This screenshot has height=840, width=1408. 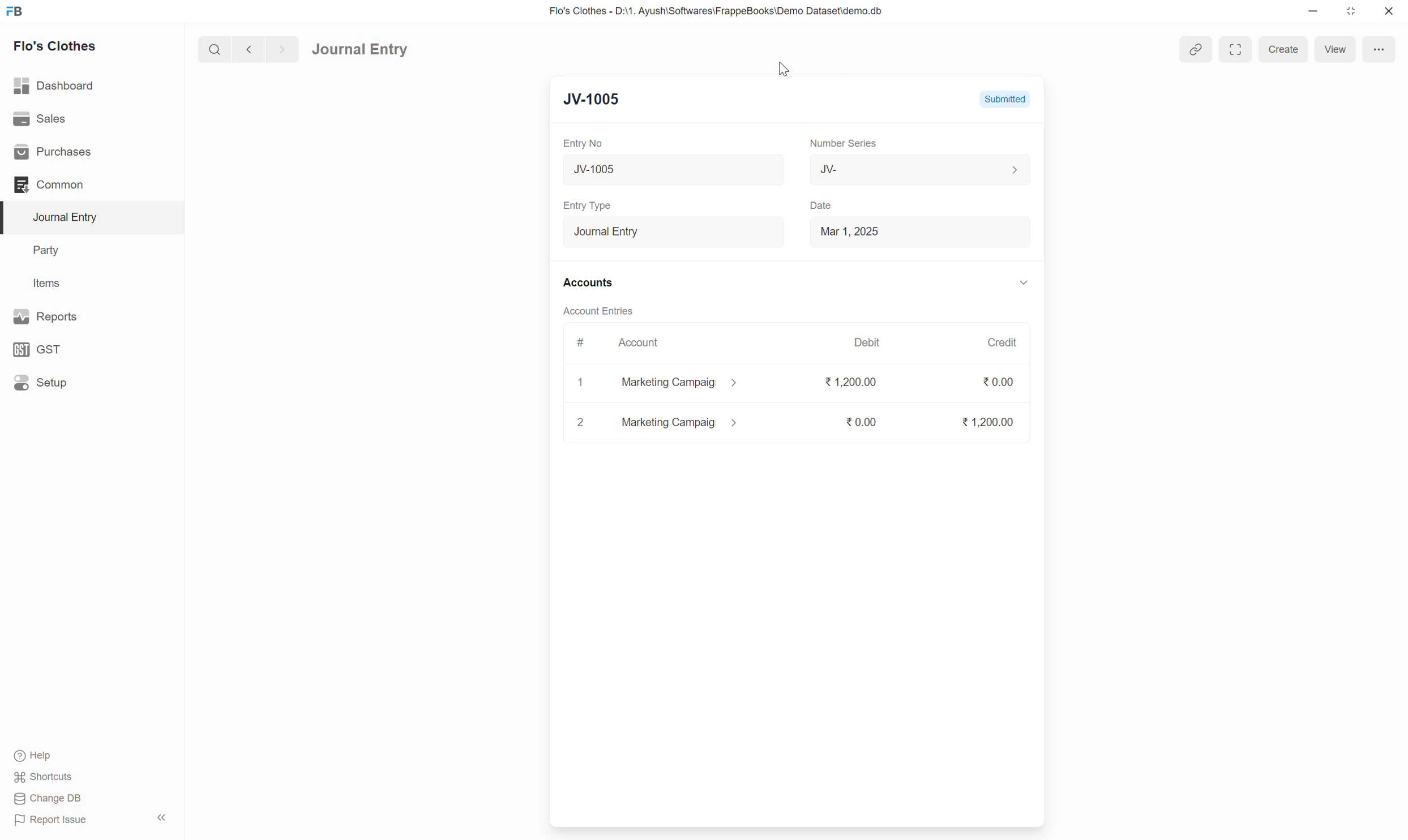 I want to click on 0.00, so click(x=859, y=421).